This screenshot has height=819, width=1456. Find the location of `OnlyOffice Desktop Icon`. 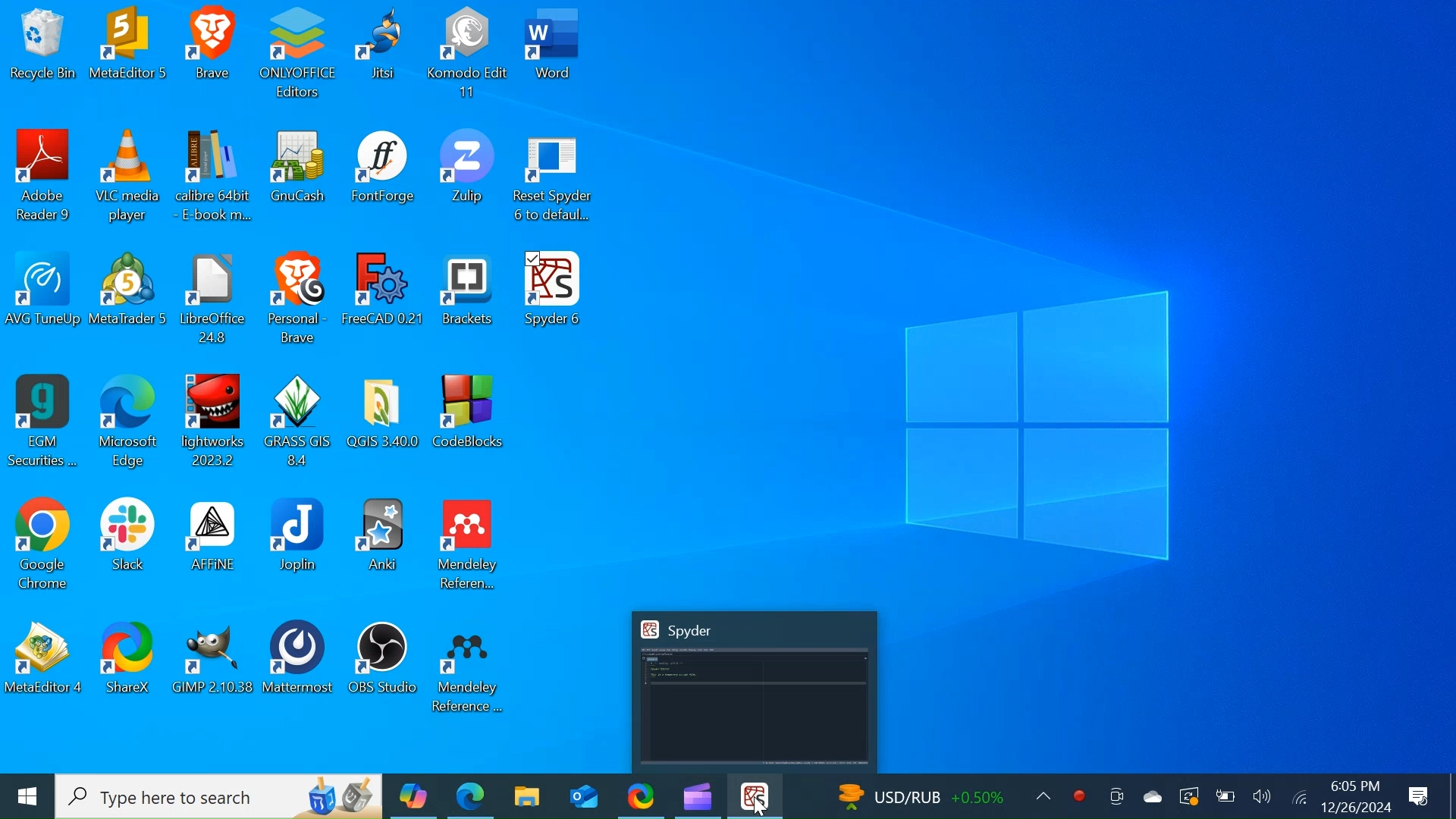

OnlyOffice Desktop Icon is located at coordinates (297, 55).